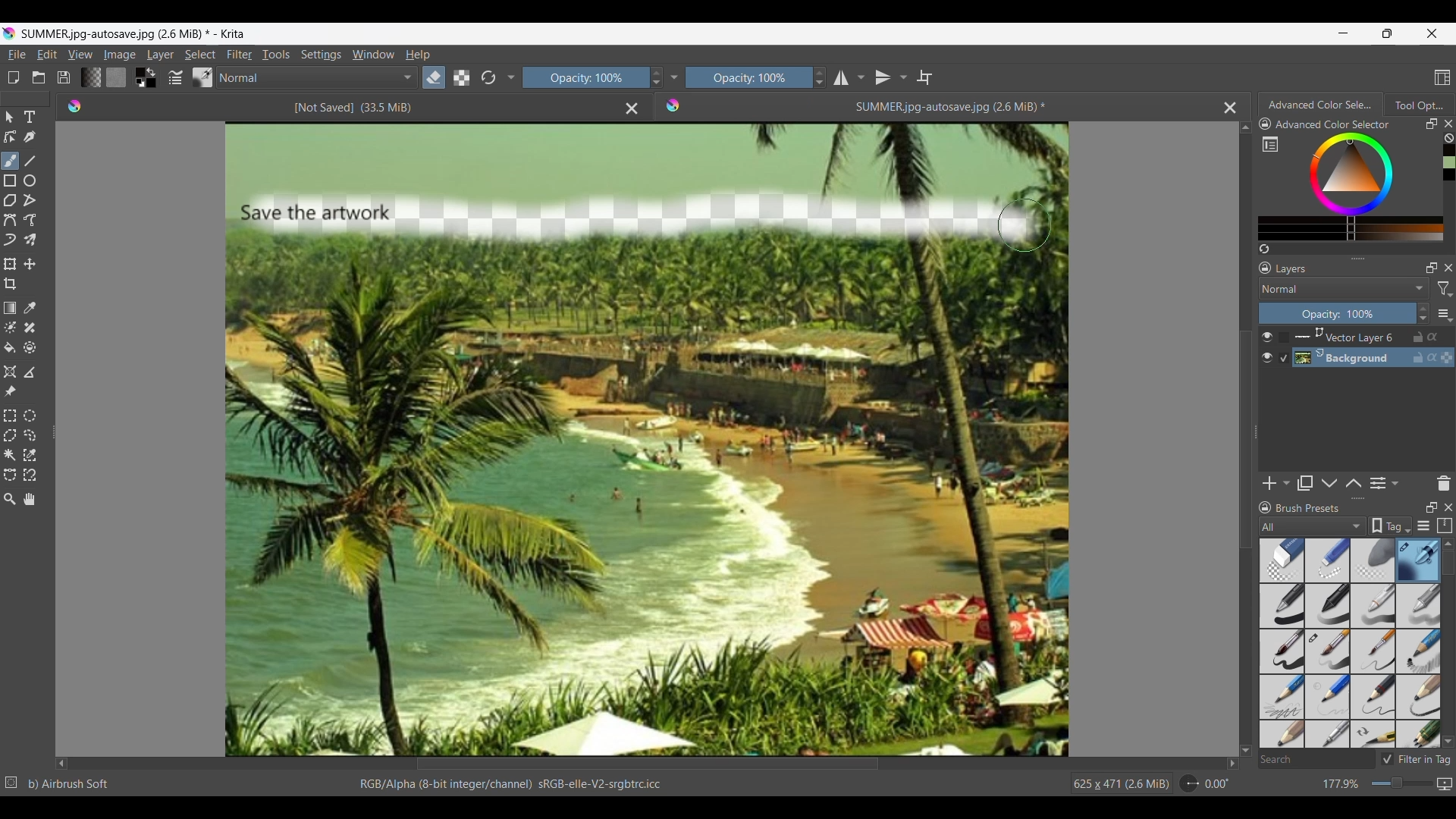  I want to click on SUMMER.jpg-autosave.jpg (2.6 MiB)* - Krita, so click(135, 33).